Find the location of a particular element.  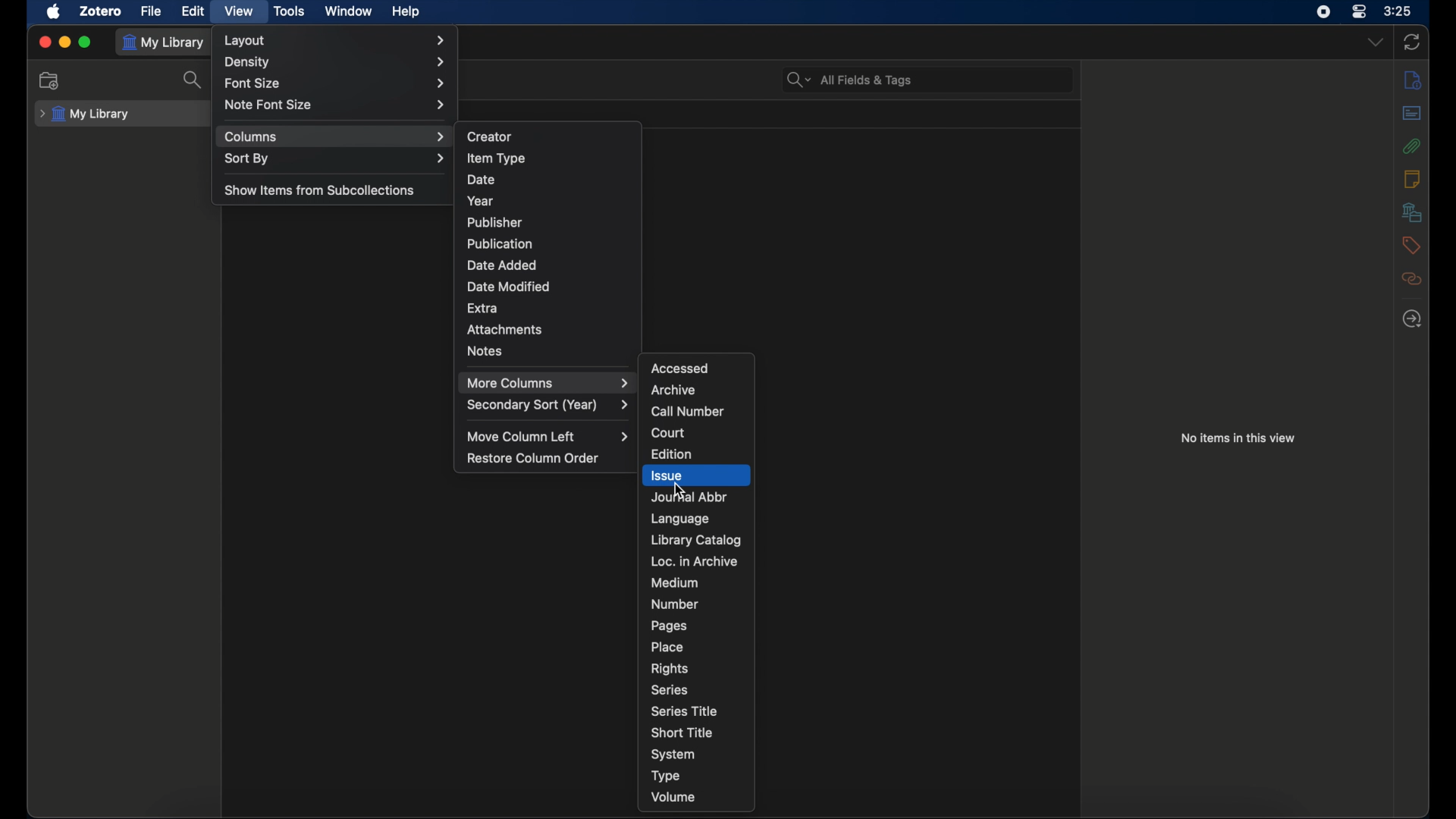

my library is located at coordinates (85, 115).